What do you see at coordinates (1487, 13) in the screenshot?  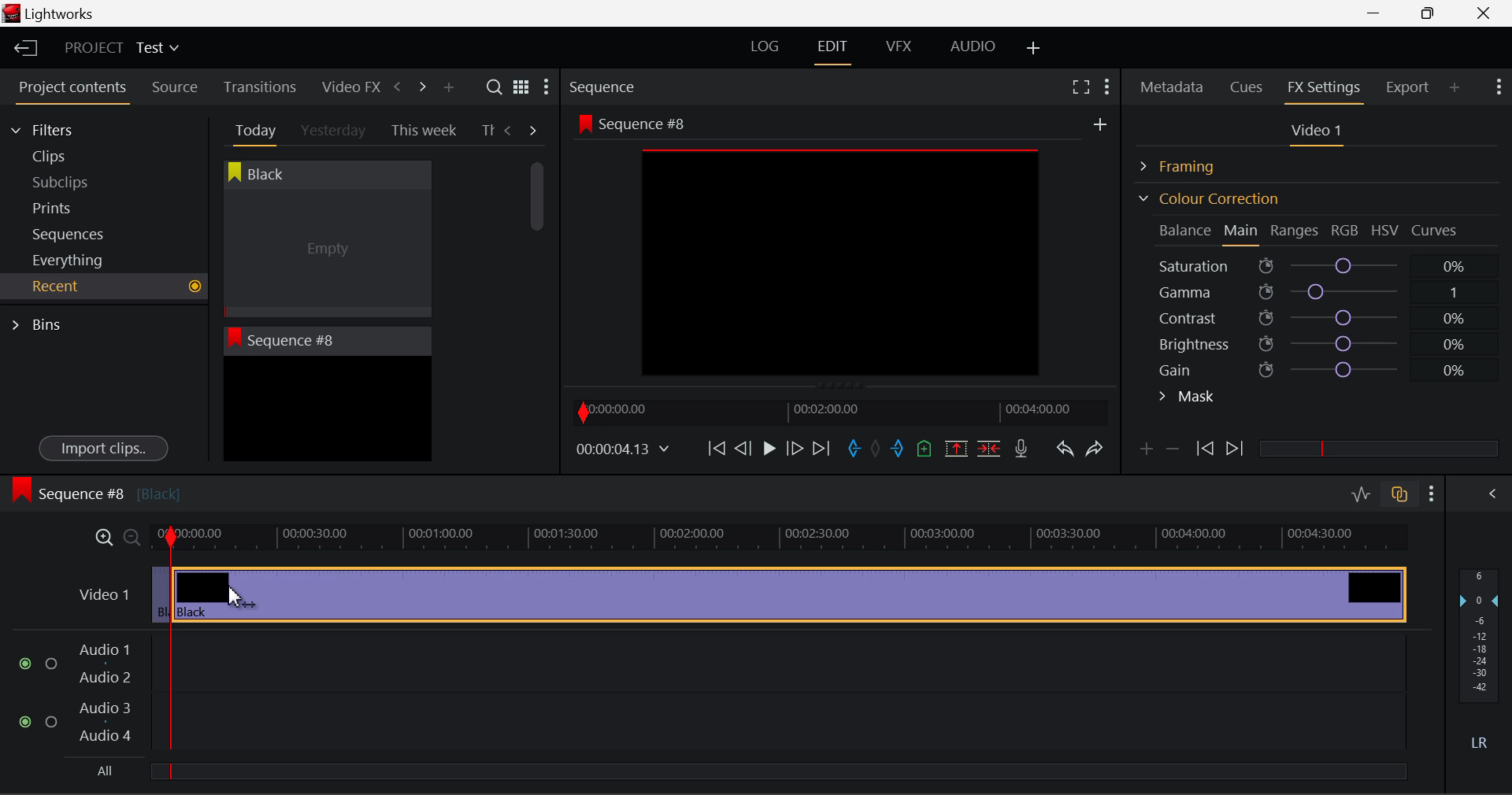 I see `Close` at bounding box center [1487, 13].